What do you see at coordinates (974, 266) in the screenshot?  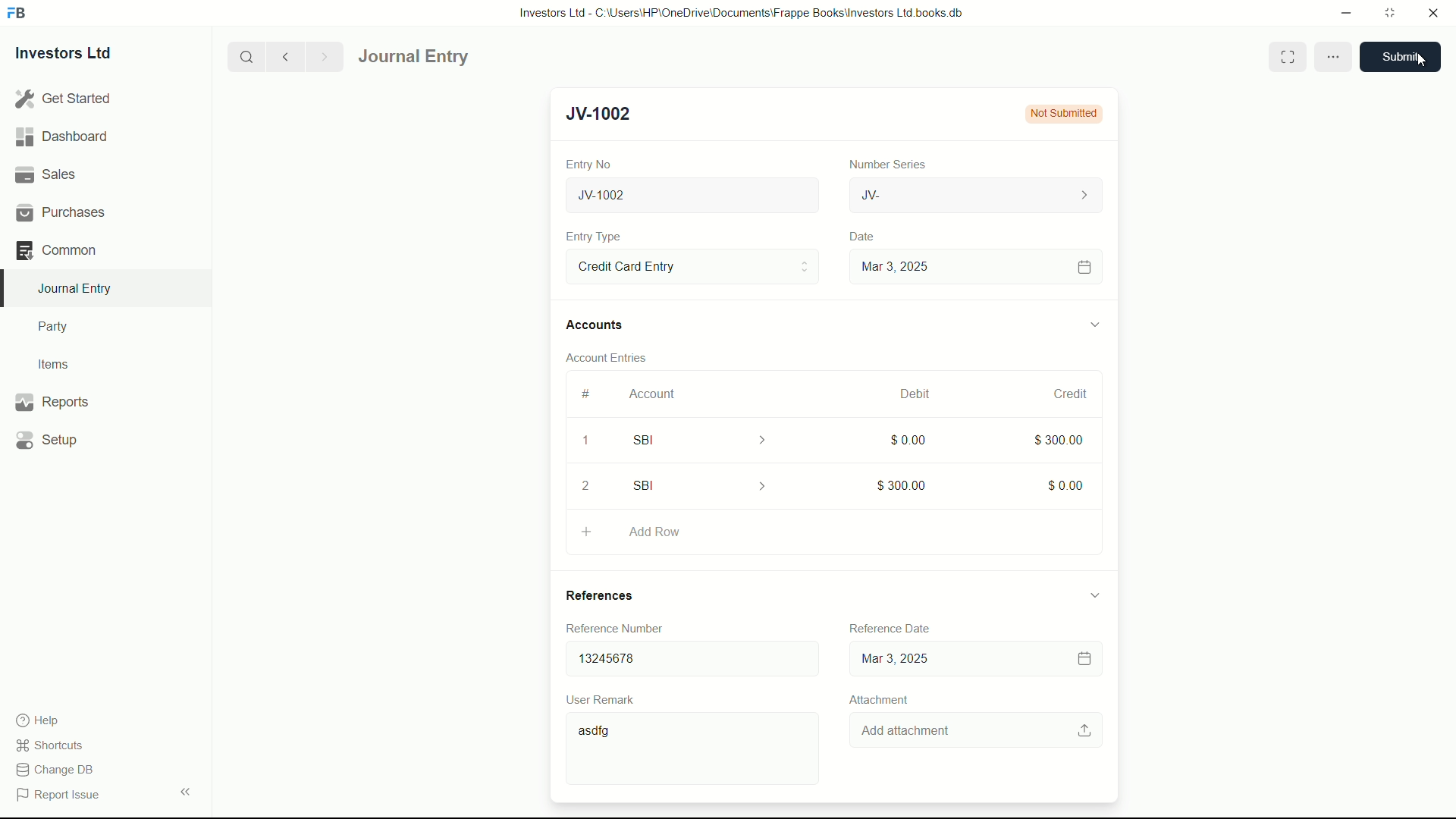 I see `Mar 3, 2025` at bounding box center [974, 266].